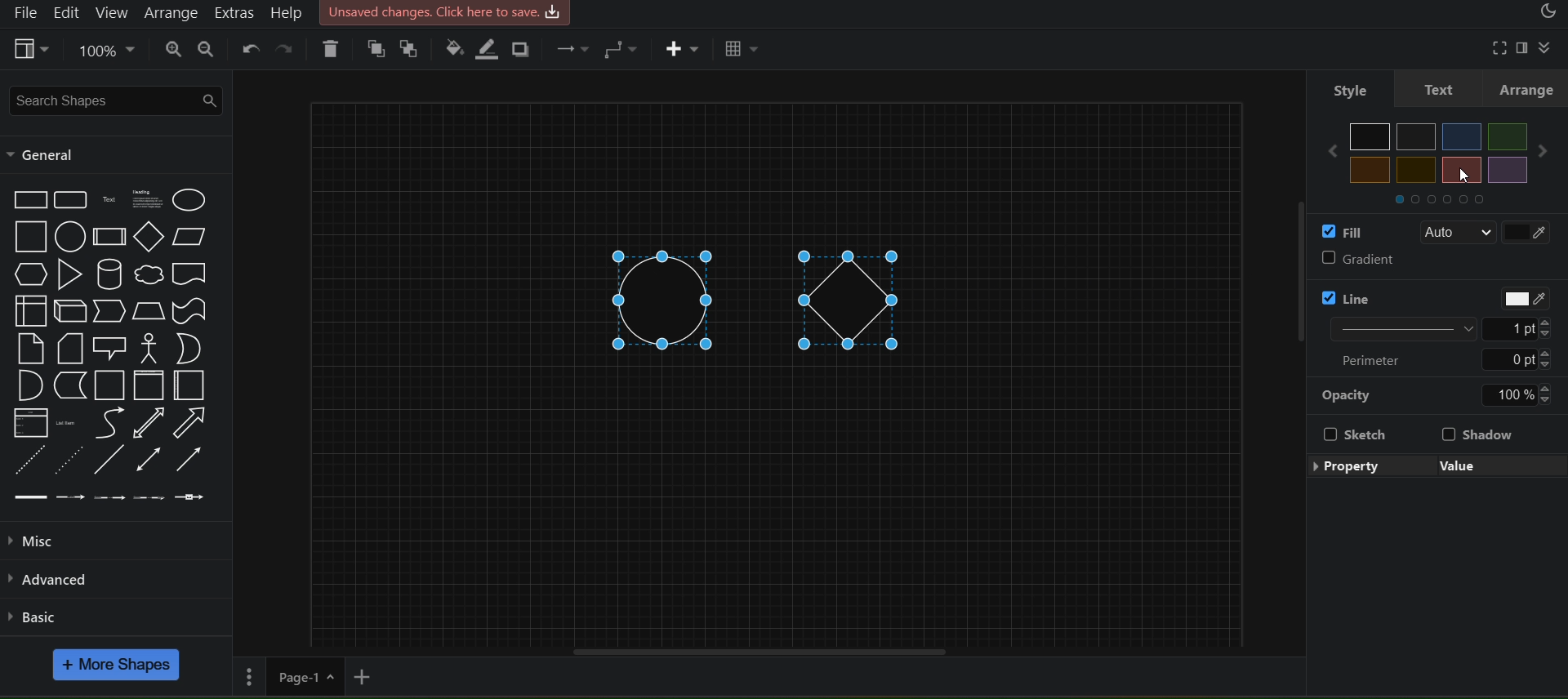  What do you see at coordinates (1418, 170) in the screenshot?
I see `` at bounding box center [1418, 170].